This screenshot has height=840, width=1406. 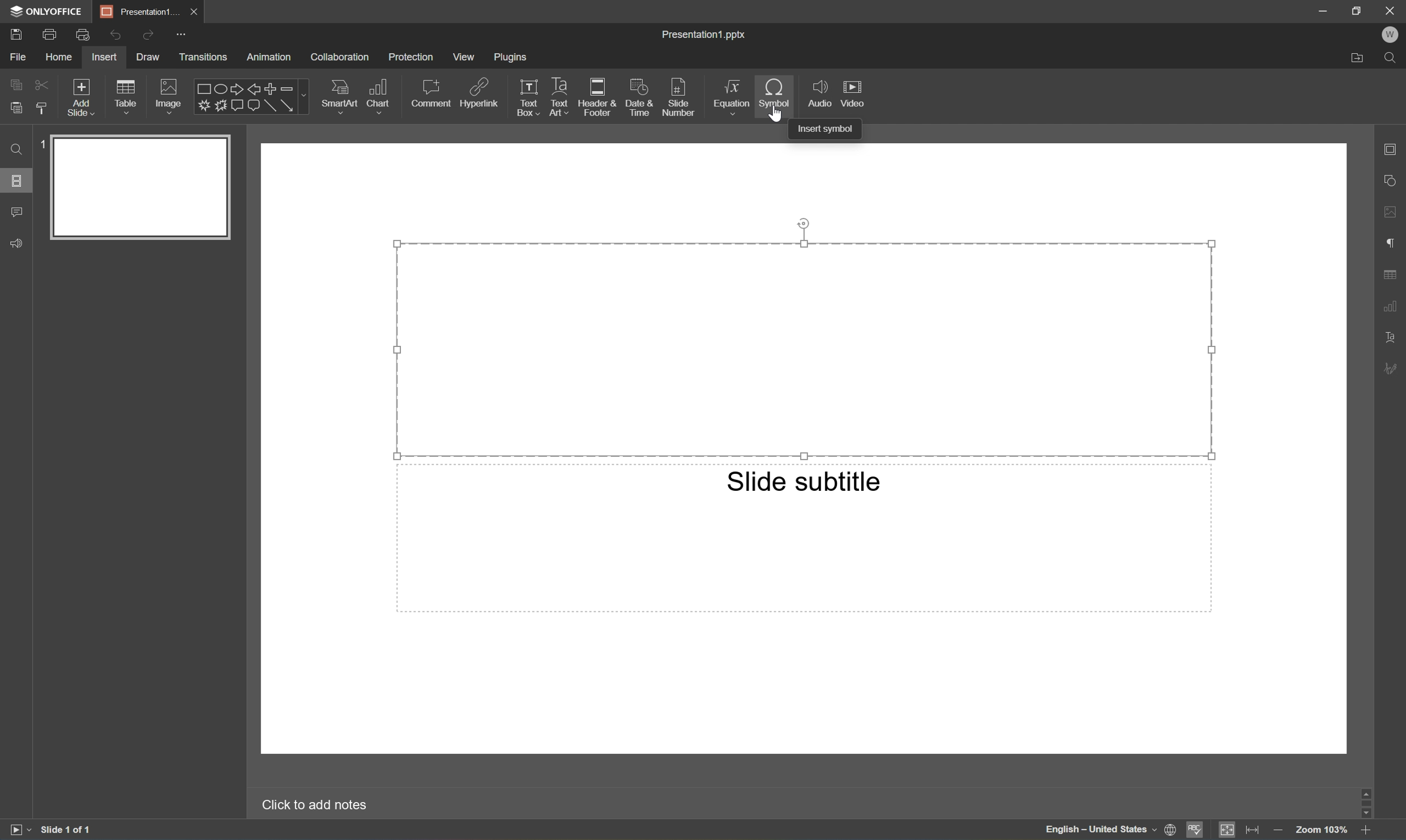 I want to click on Insert symbol, so click(x=826, y=127).